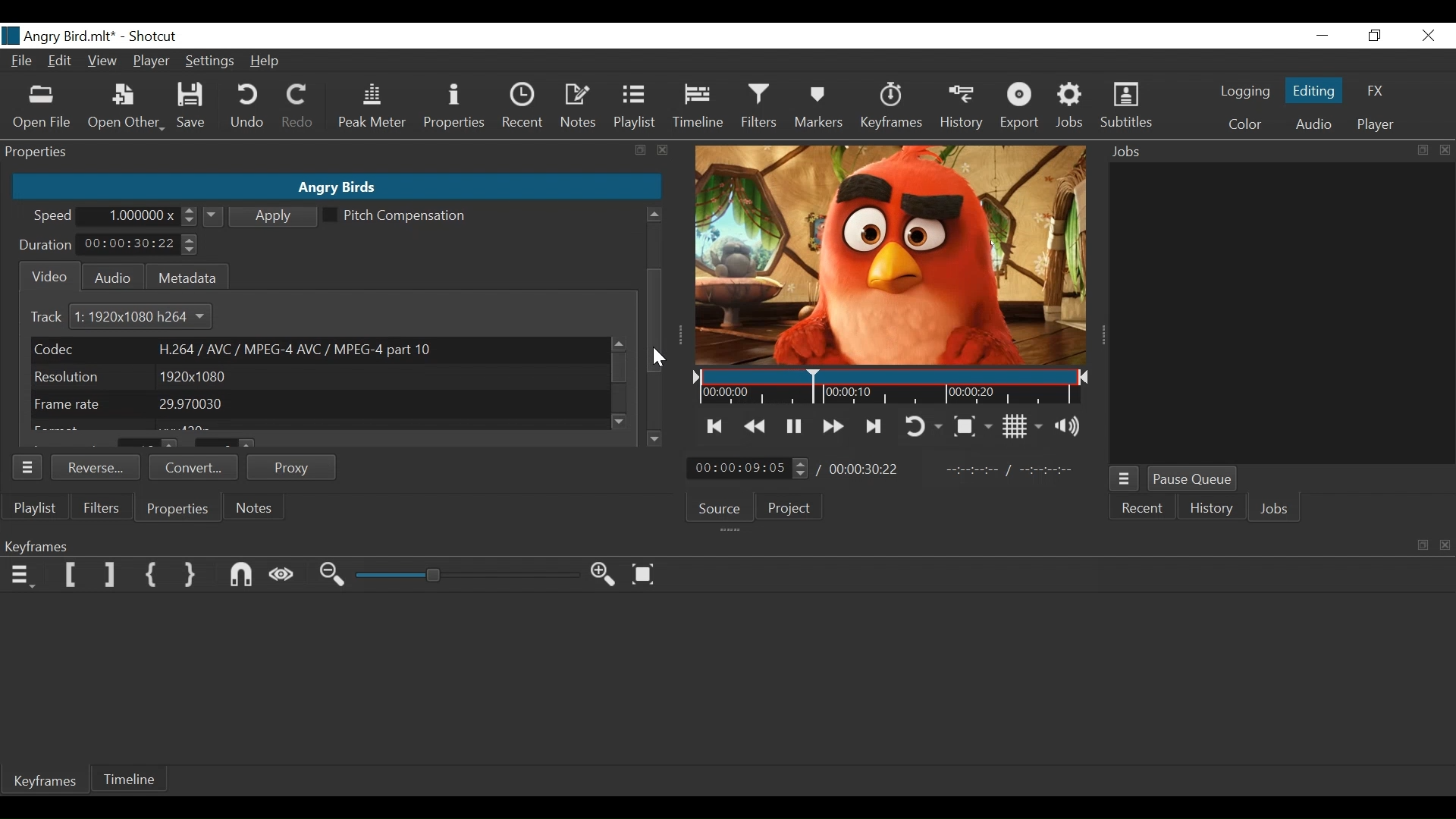  Describe the element at coordinates (179, 510) in the screenshot. I see `Properties` at that location.